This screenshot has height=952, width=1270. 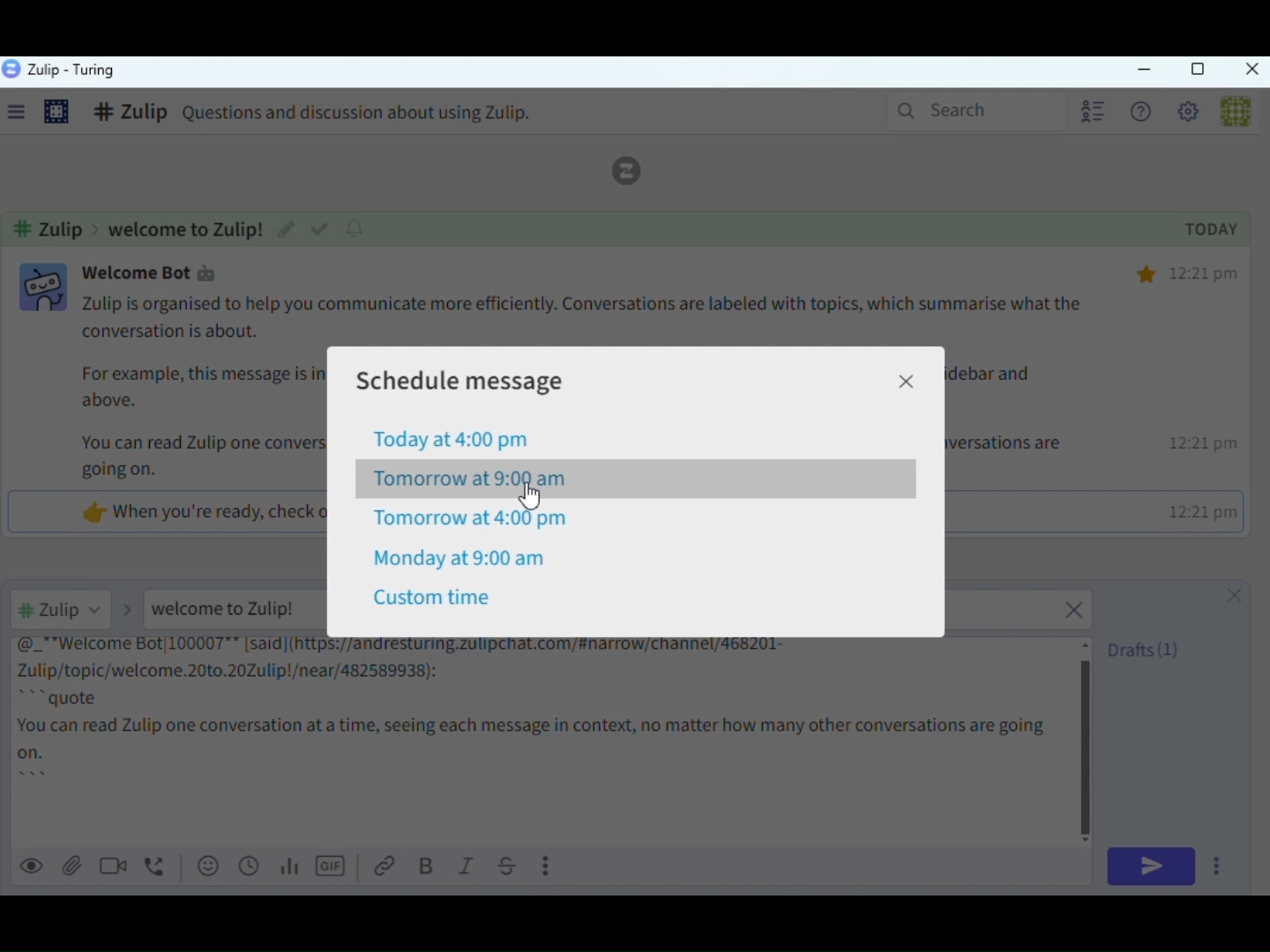 I want to click on VoiceCall, so click(x=159, y=865).